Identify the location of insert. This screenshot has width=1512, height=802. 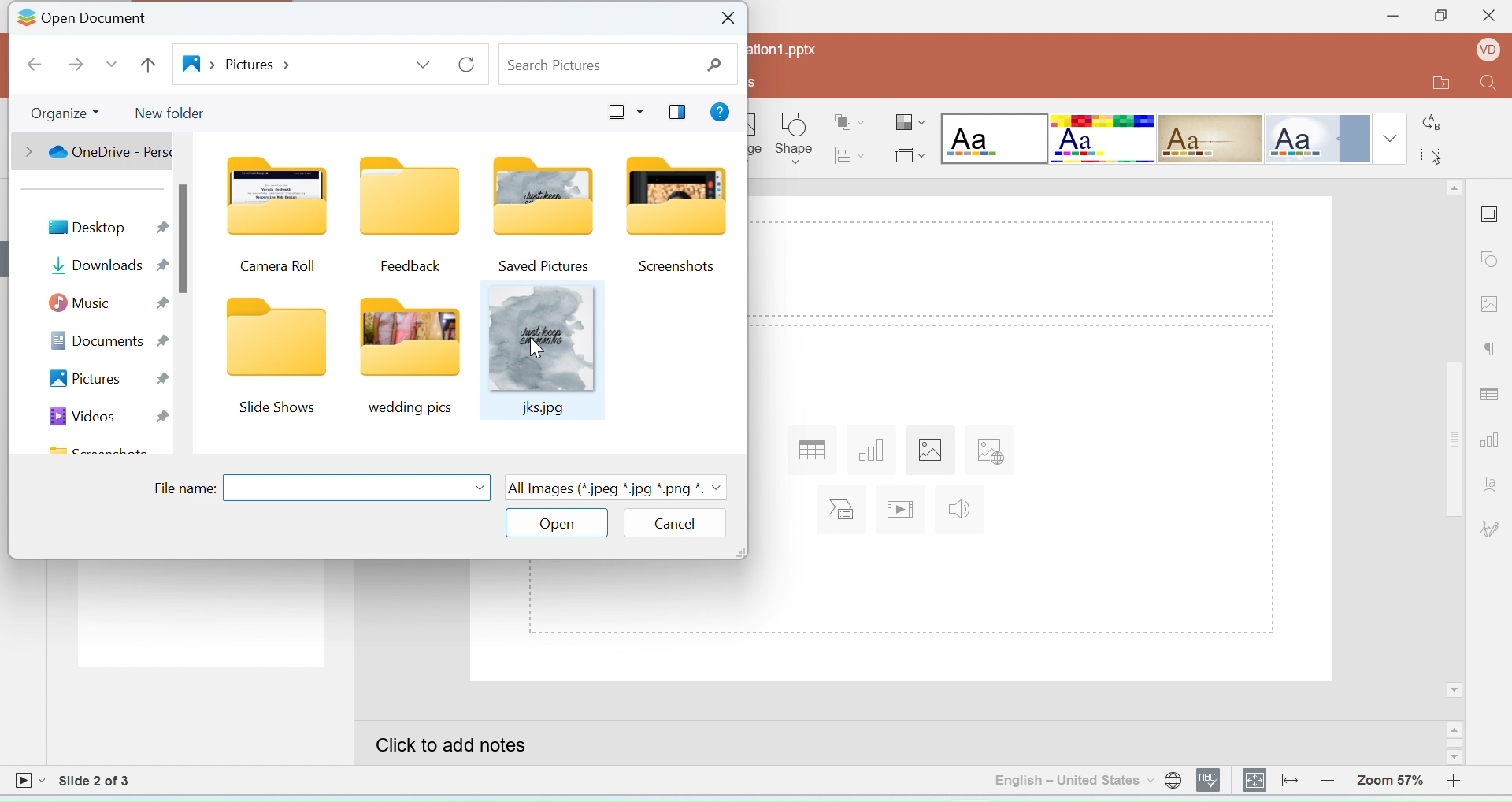
(844, 510).